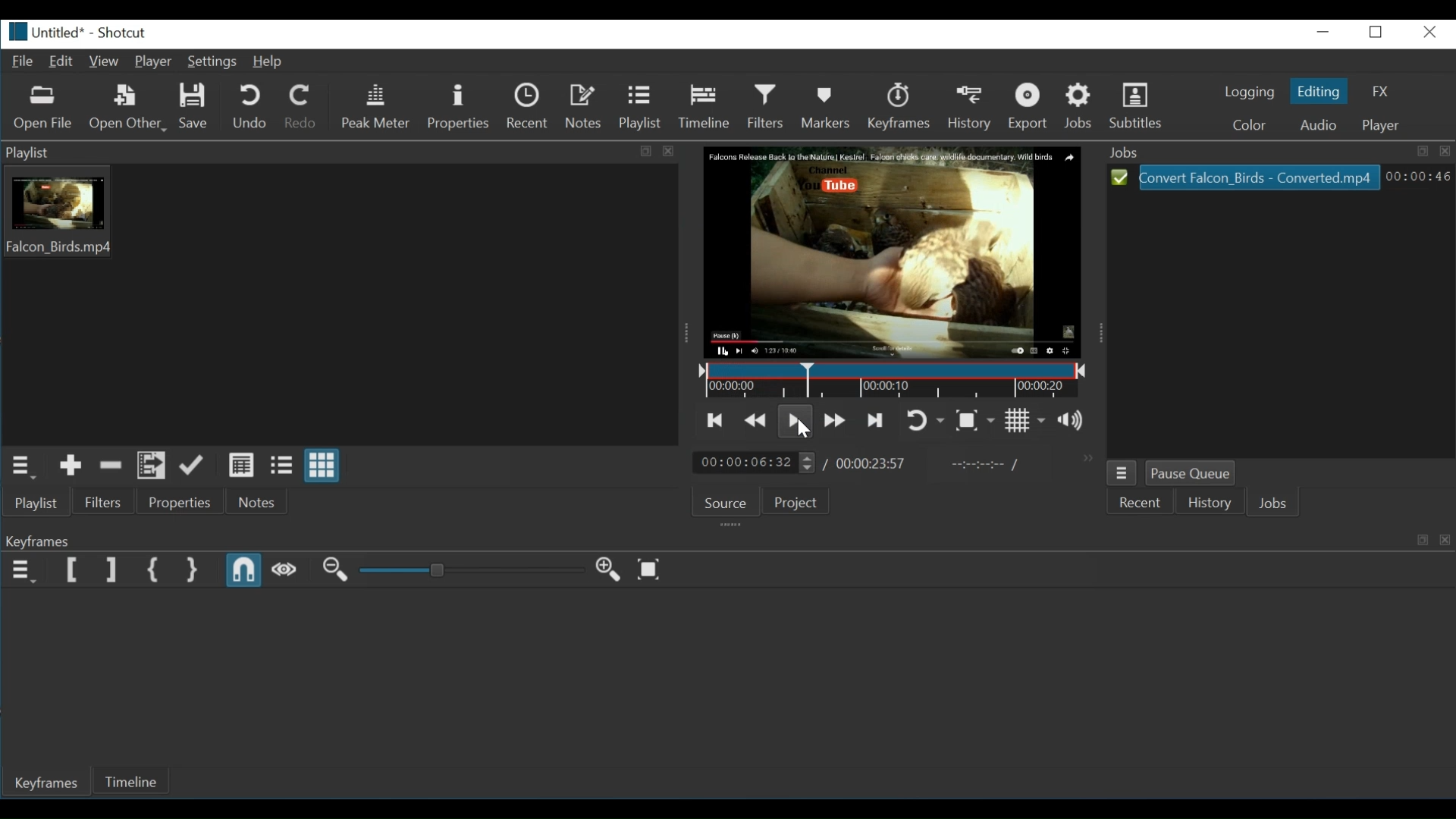 The height and width of the screenshot is (819, 1456). Describe the element at coordinates (102, 61) in the screenshot. I see `View` at that location.